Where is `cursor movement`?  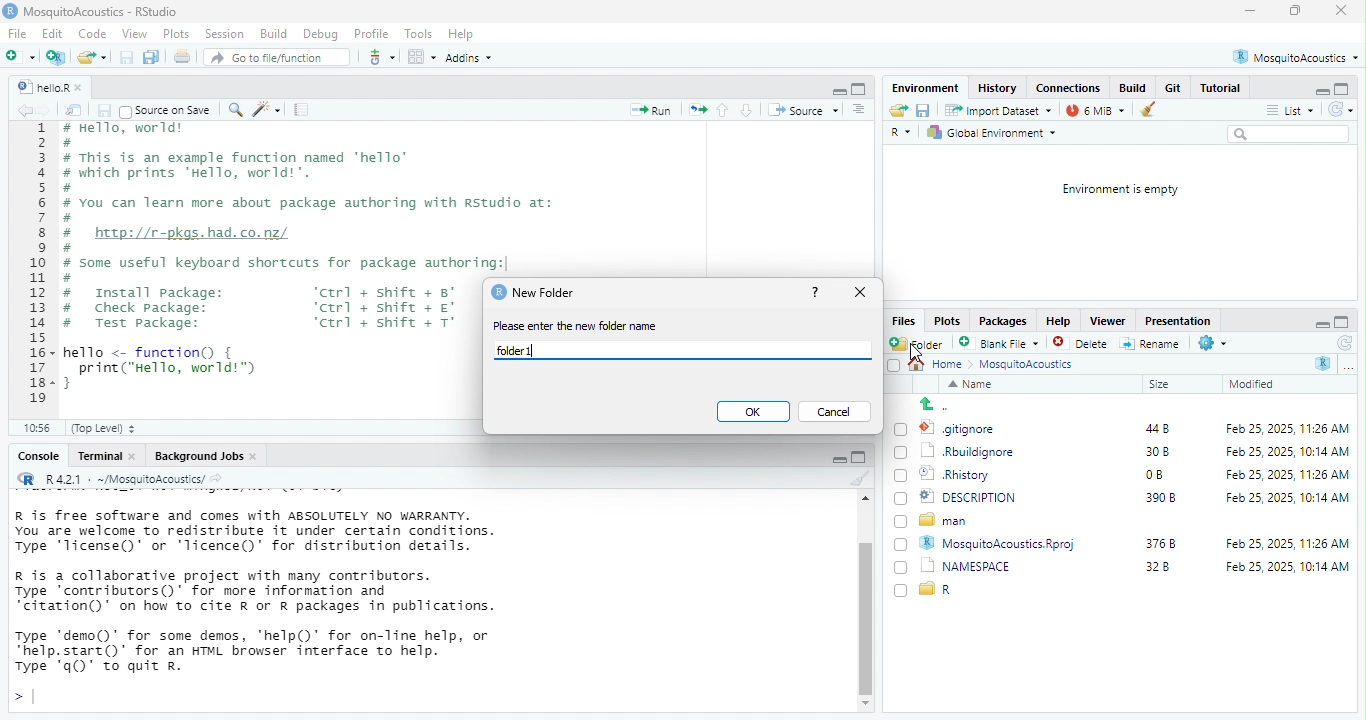 cursor movement is located at coordinates (917, 359).